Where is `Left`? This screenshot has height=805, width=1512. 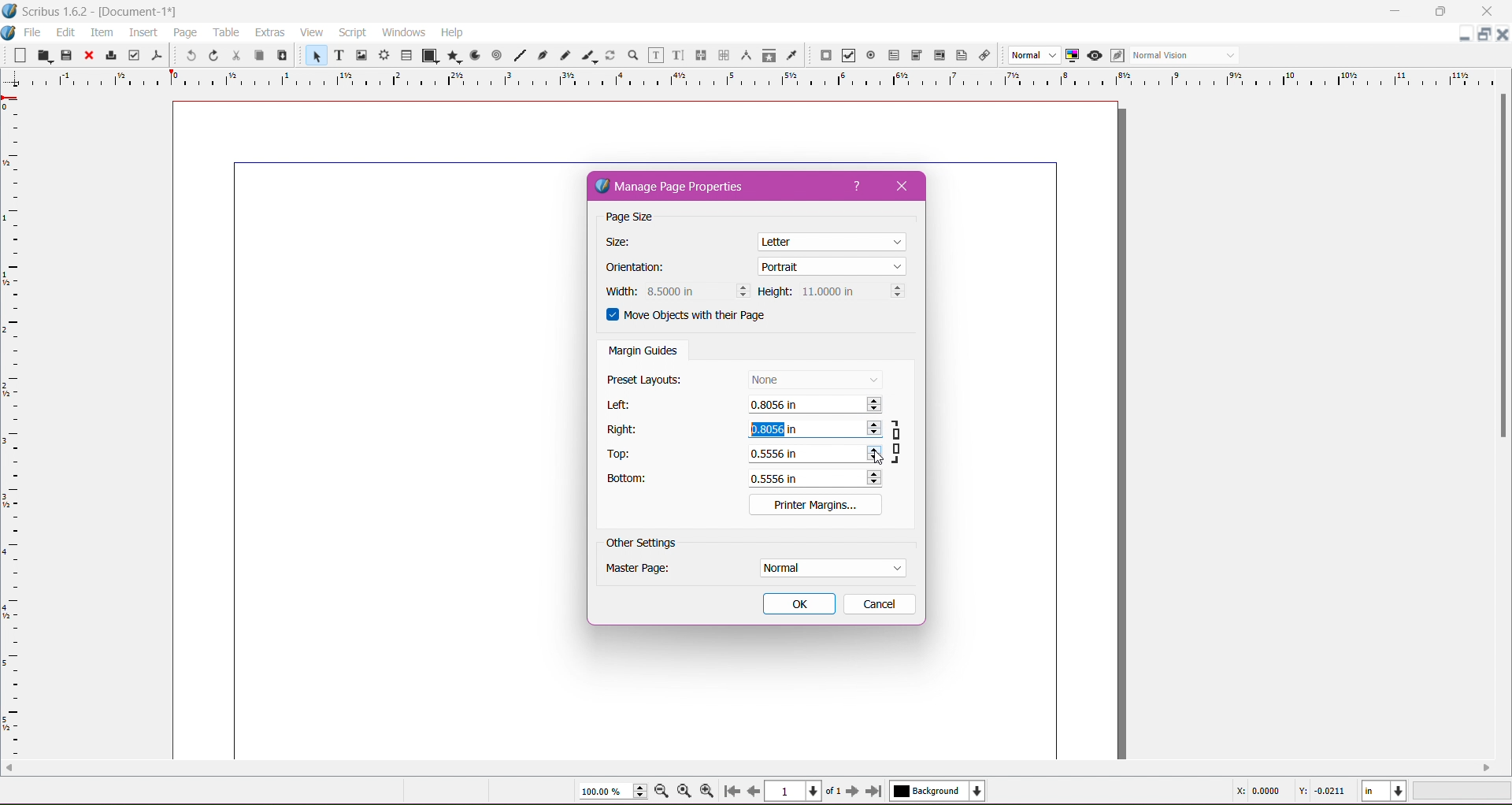 Left is located at coordinates (621, 405).